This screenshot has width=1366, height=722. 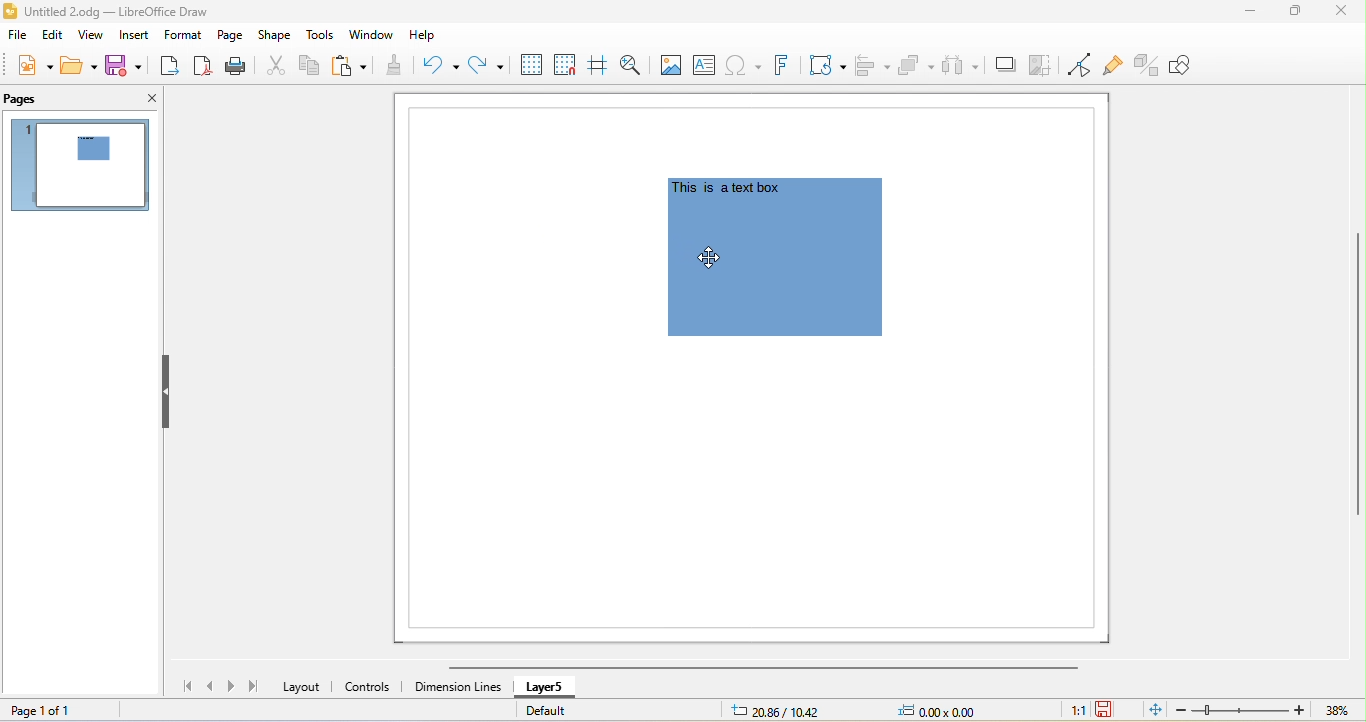 What do you see at coordinates (943, 710) in the screenshot?
I see `0.00x0.00` at bounding box center [943, 710].